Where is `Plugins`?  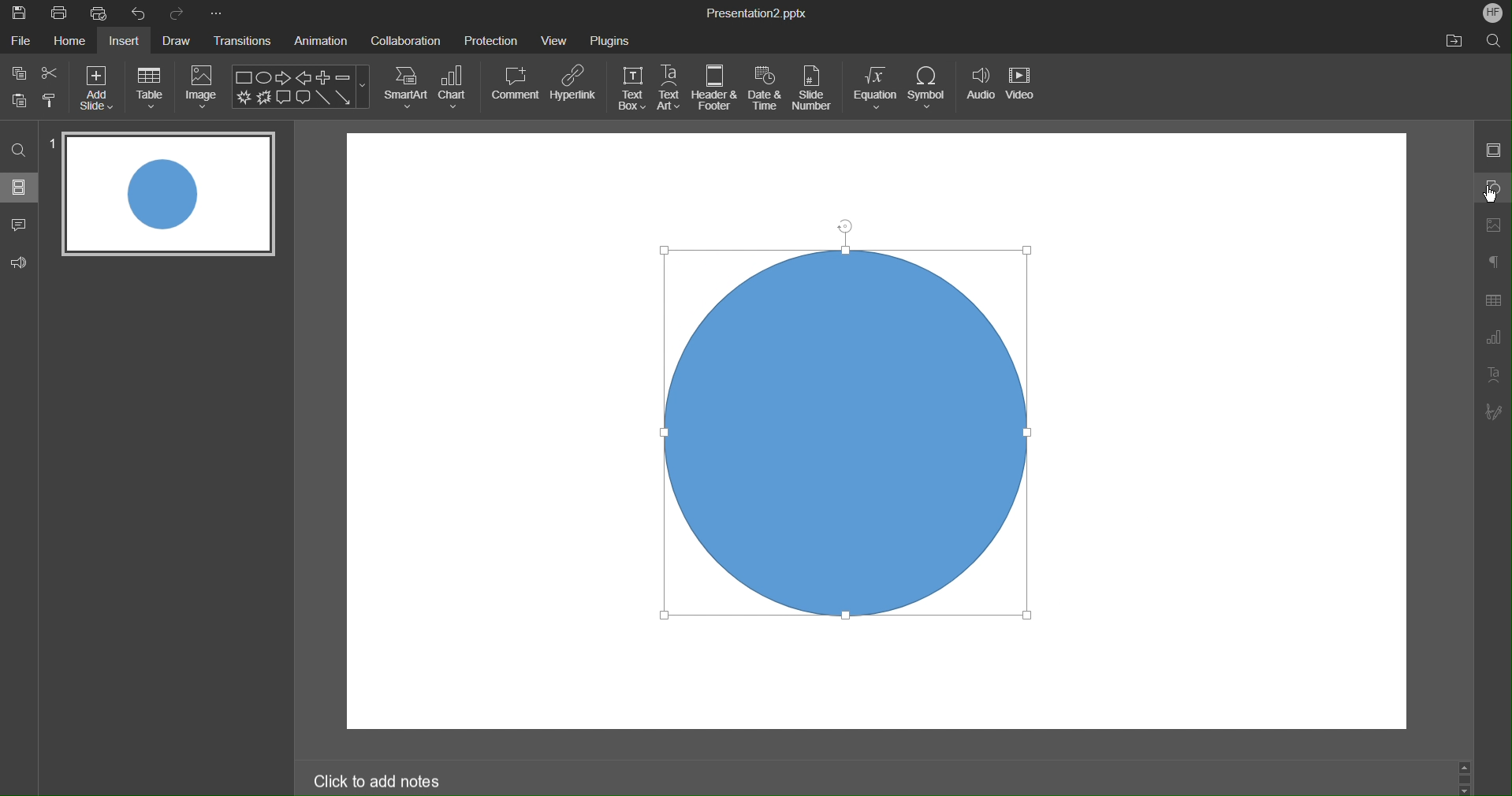 Plugins is located at coordinates (610, 38).